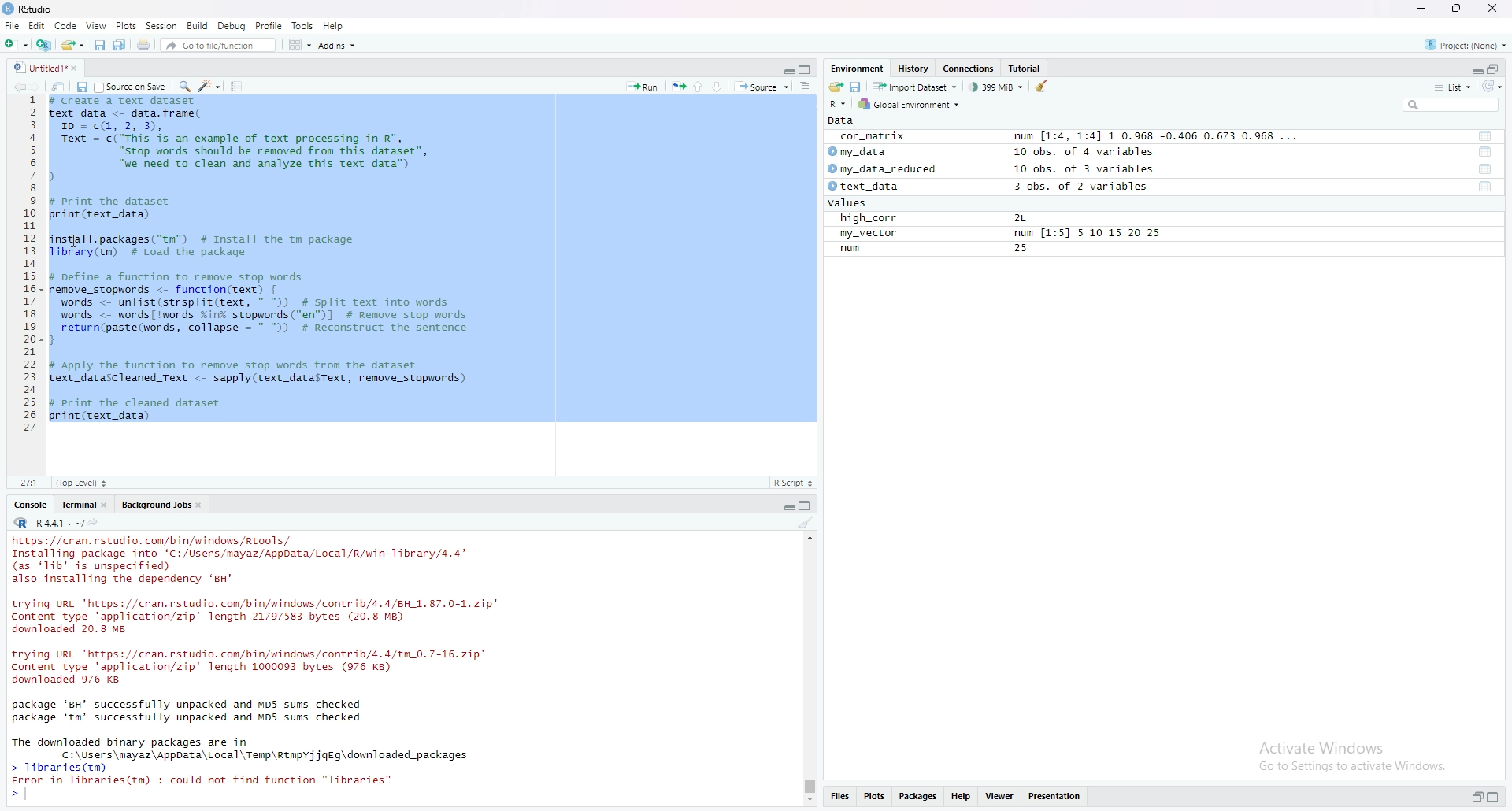  I want to click on code, so click(65, 25).